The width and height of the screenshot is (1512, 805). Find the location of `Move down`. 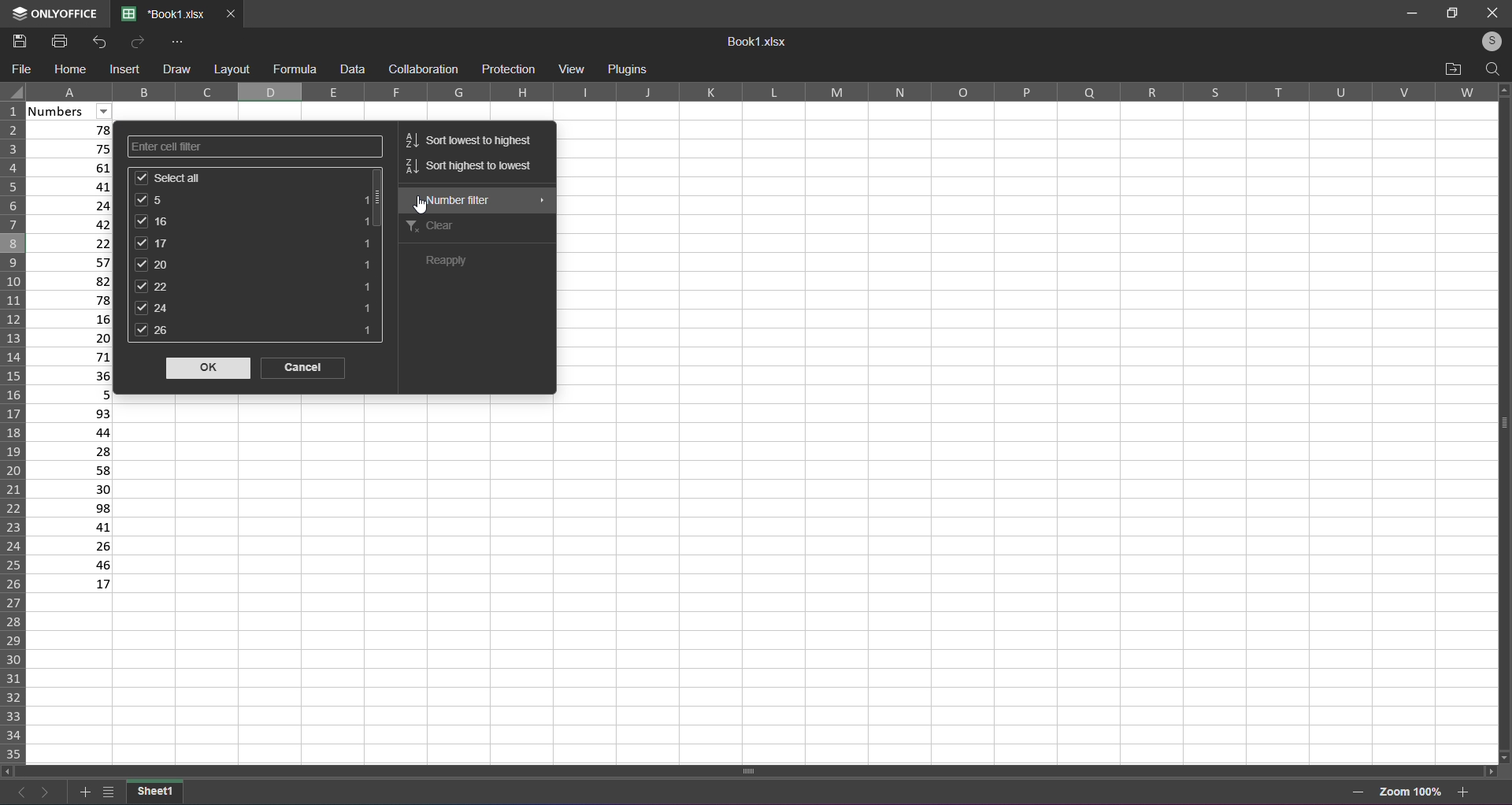

Move down is located at coordinates (1505, 755).